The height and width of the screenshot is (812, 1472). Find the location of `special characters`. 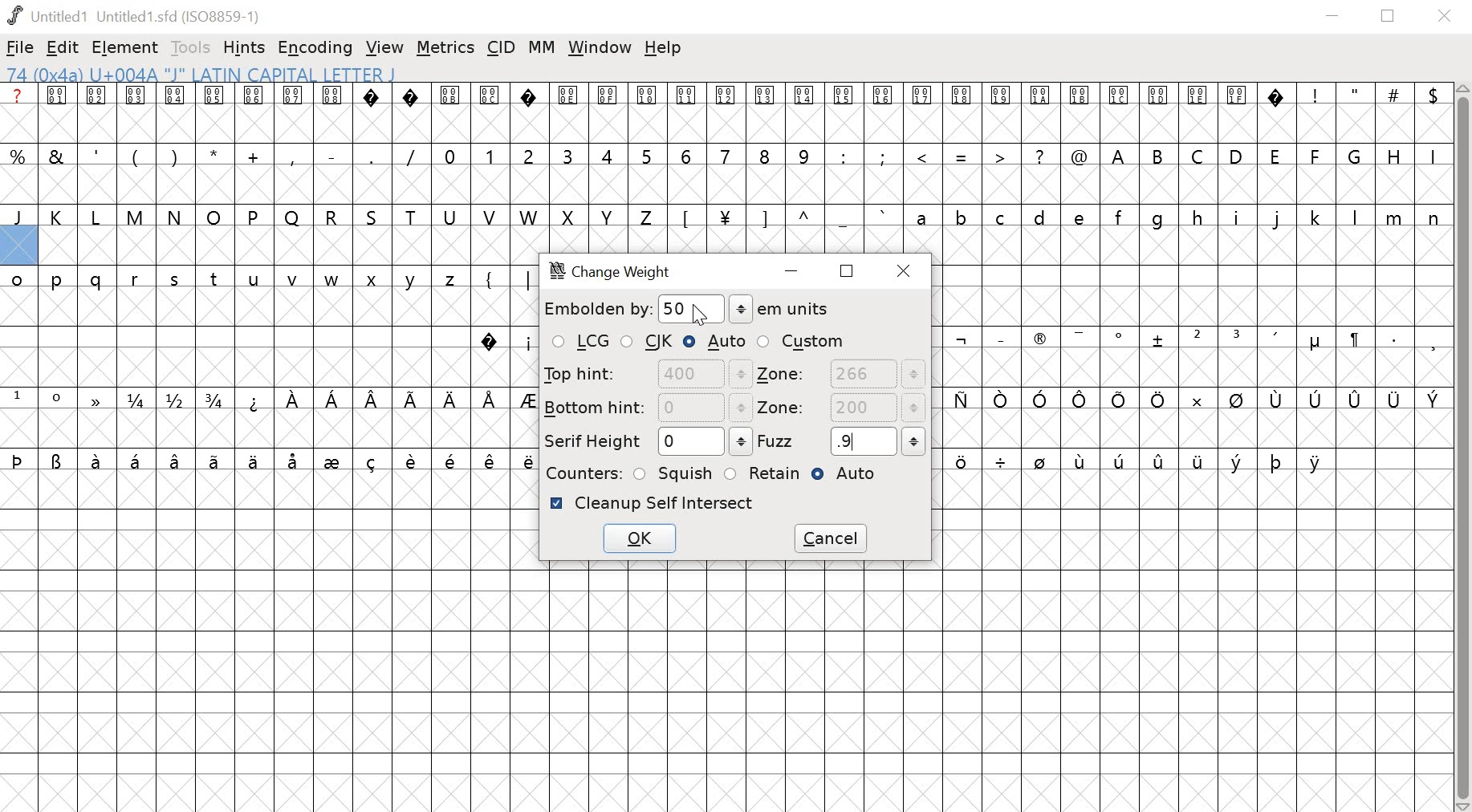

special characters is located at coordinates (215, 154).